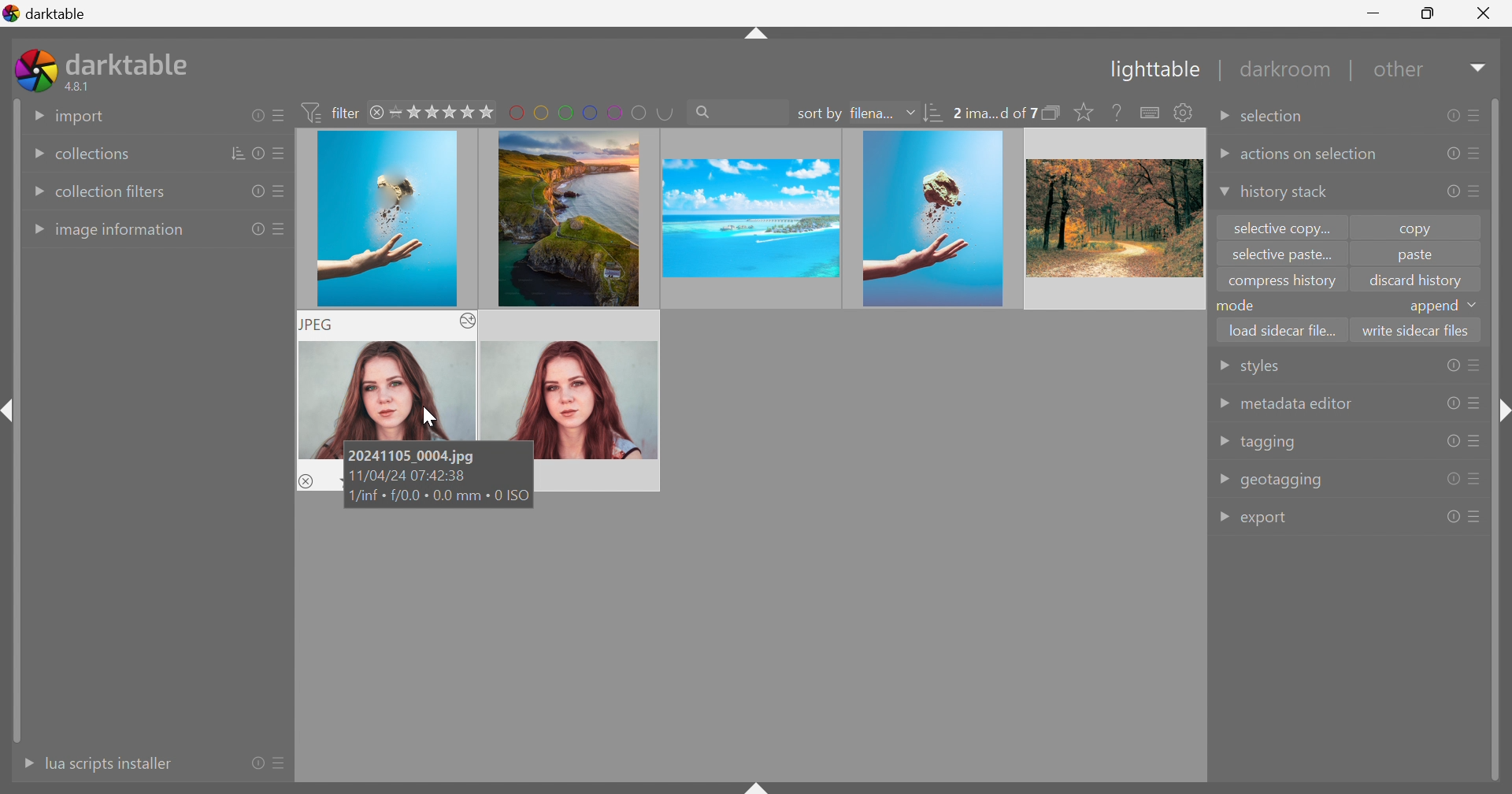 This screenshot has height=794, width=1512. I want to click on More, so click(23, 763).